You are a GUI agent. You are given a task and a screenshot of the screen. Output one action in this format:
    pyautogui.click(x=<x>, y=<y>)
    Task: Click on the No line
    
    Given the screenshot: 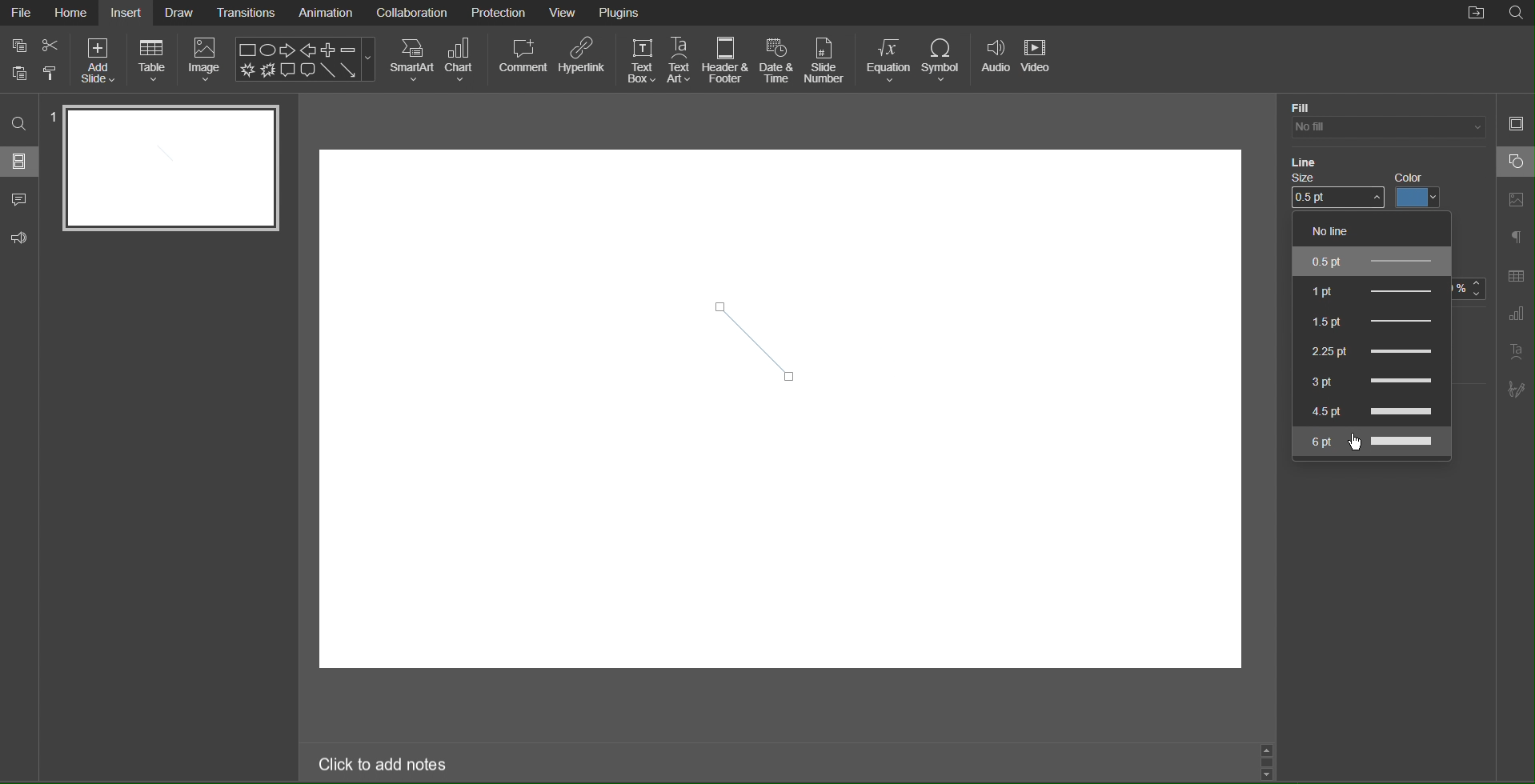 What is the action you would take?
    pyautogui.click(x=1345, y=230)
    